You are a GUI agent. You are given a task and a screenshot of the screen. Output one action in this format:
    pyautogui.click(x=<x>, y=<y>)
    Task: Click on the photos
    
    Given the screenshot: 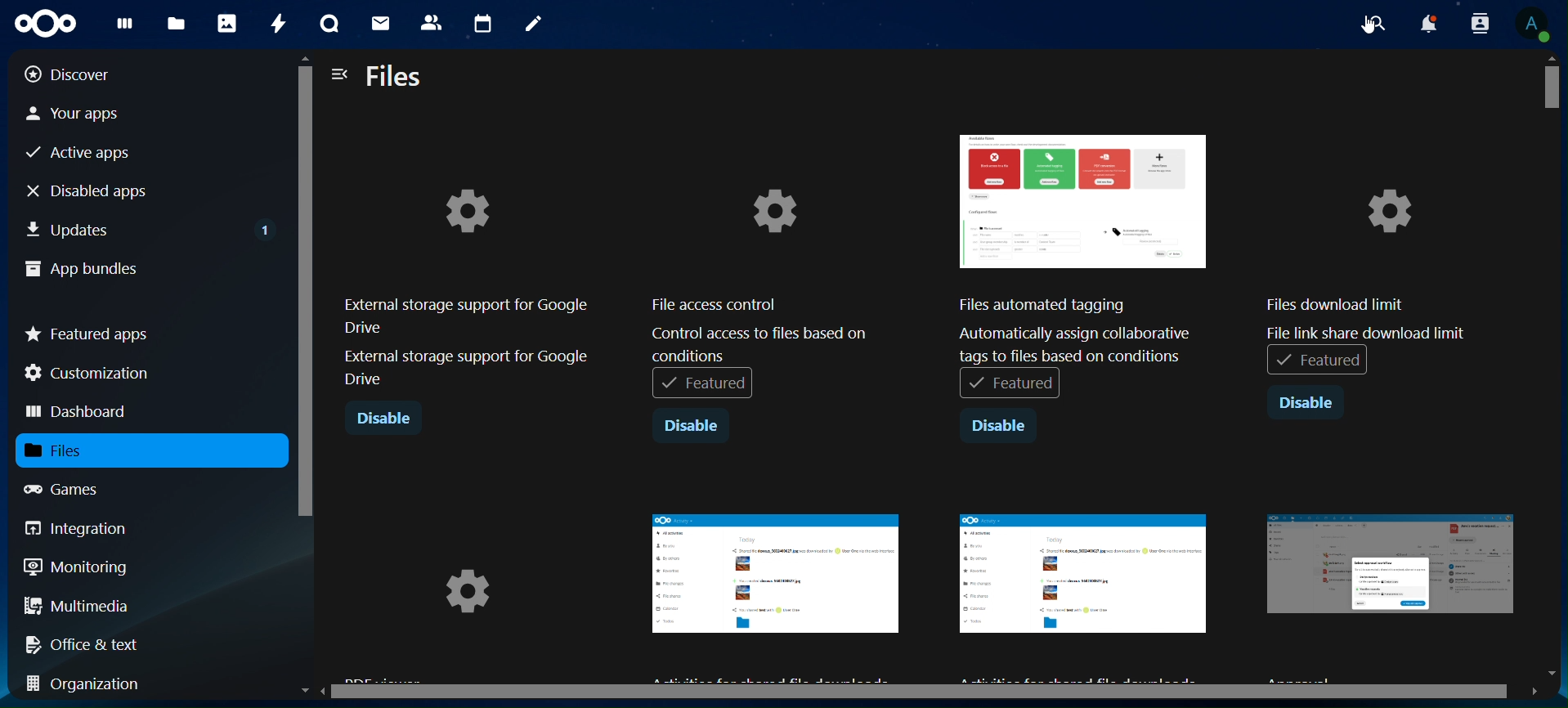 What is the action you would take?
    pyautogui.click(x=226, y=22)
    